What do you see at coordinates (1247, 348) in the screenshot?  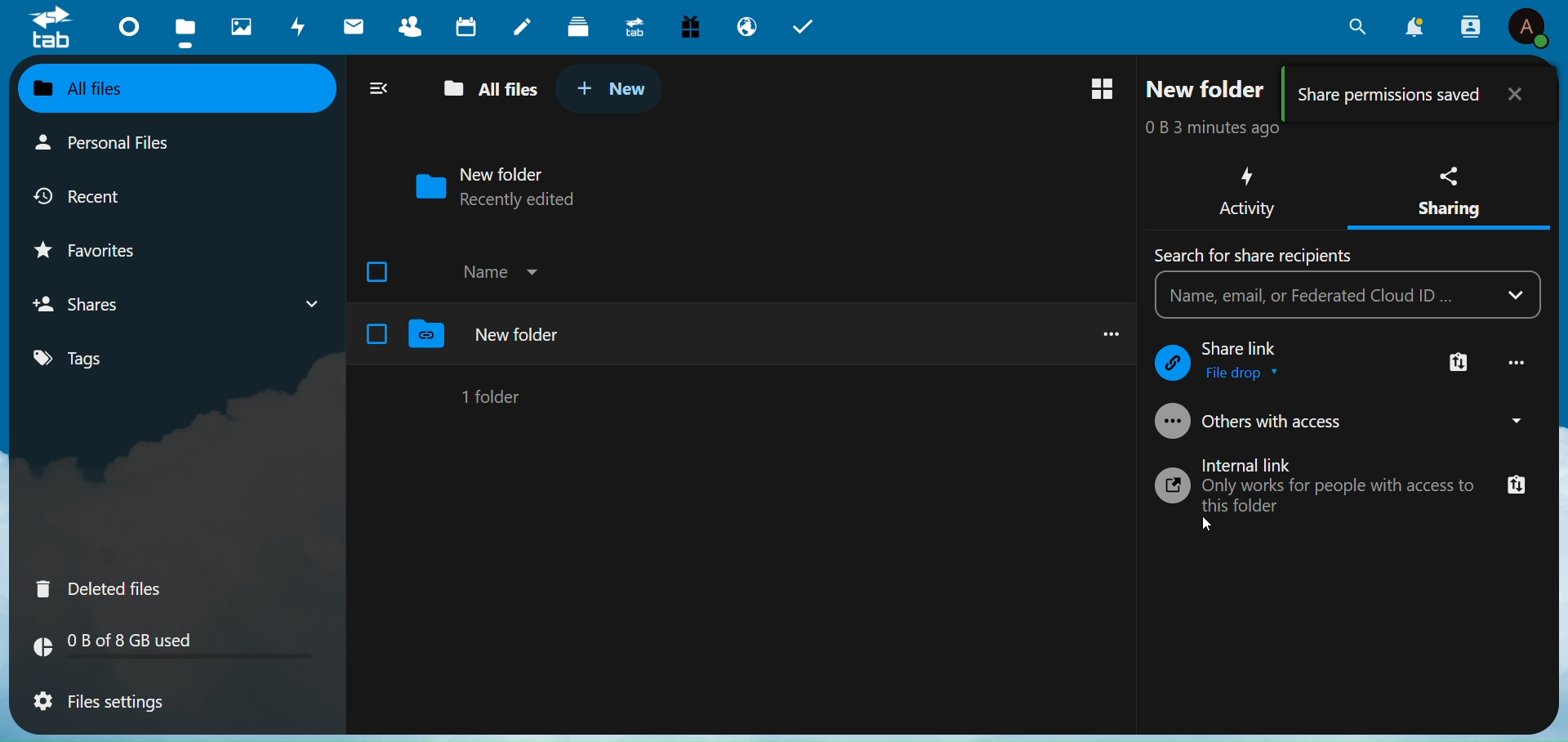 I see `Text` at bounding box center [1247, 348].